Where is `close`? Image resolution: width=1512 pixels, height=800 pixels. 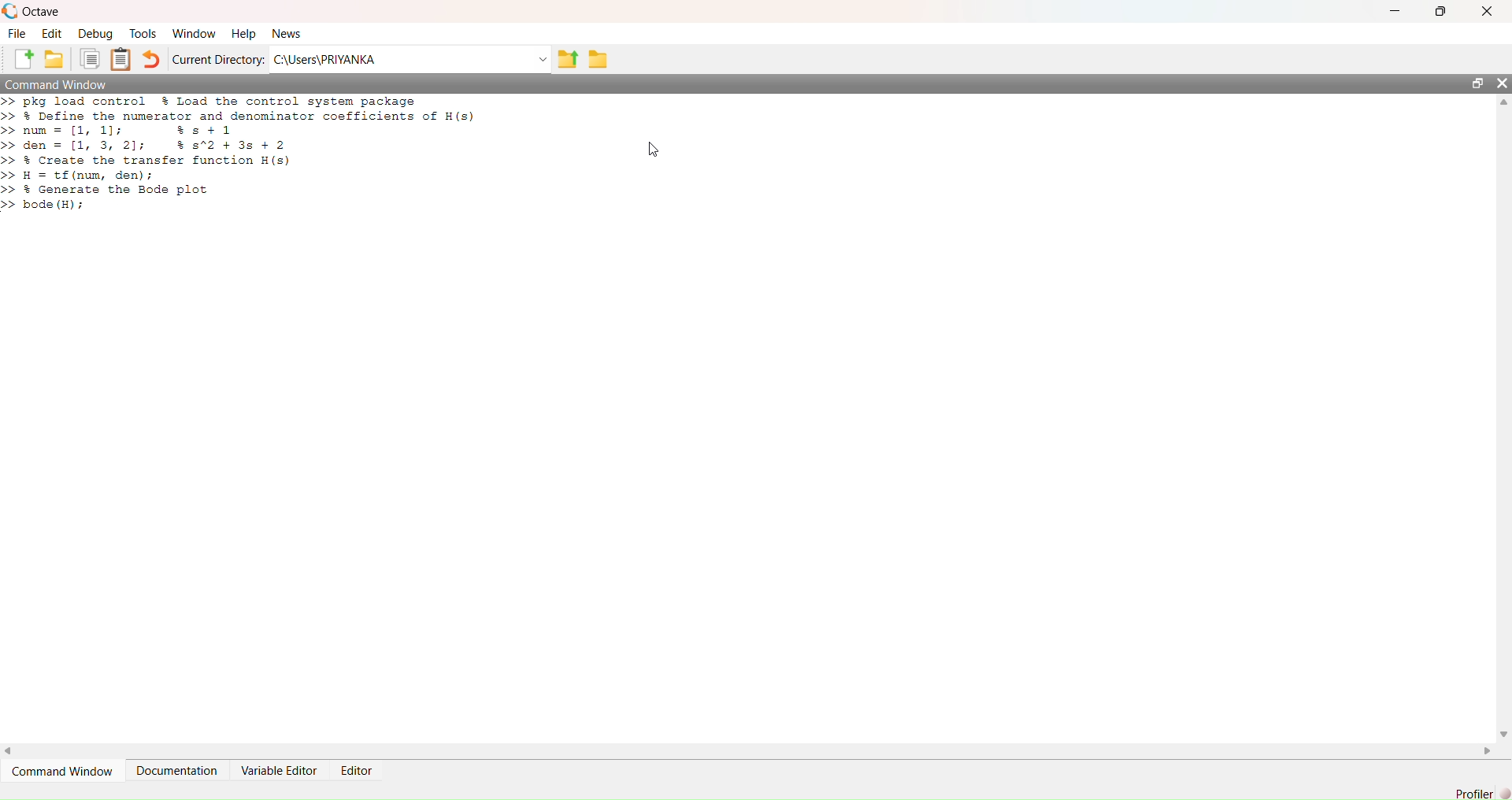
close is located at coordinates (1503, 83).